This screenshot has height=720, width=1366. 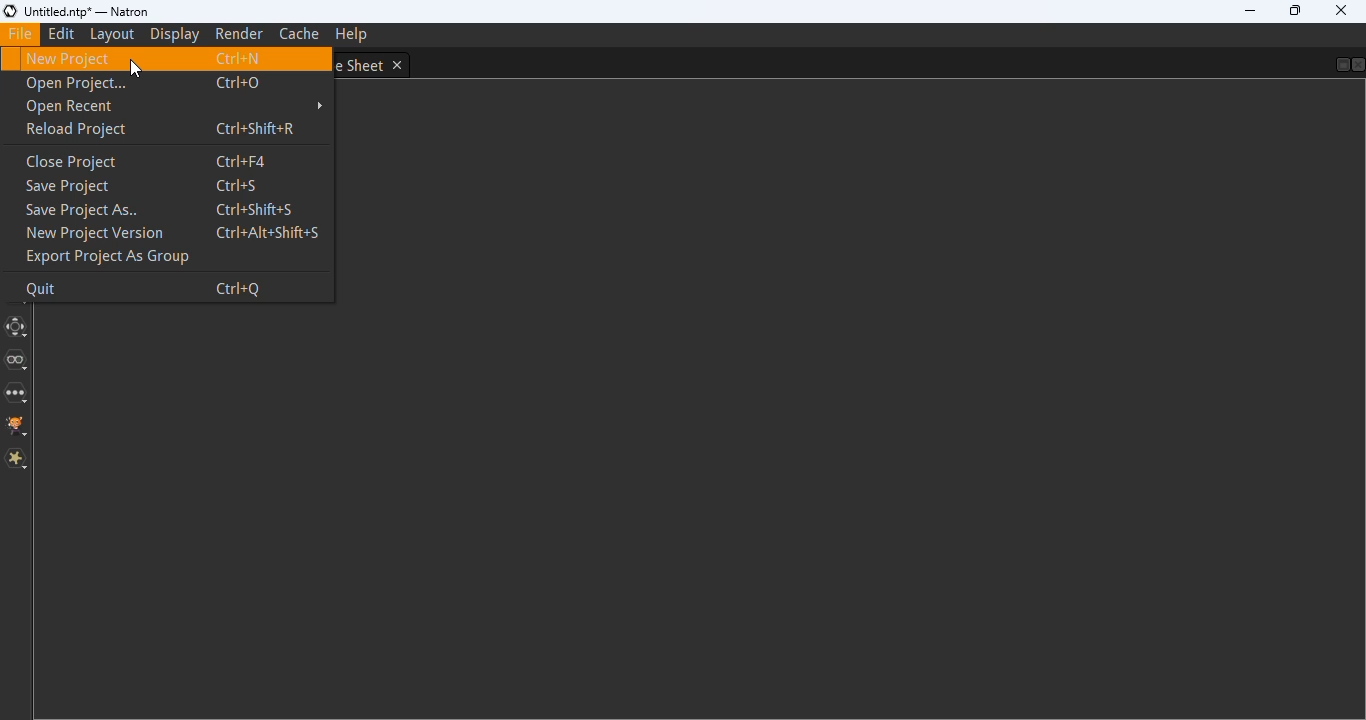 What do you see at coordinates (175, 163) in the screenshot?
I see `close project` at bounding box center [175, 163].